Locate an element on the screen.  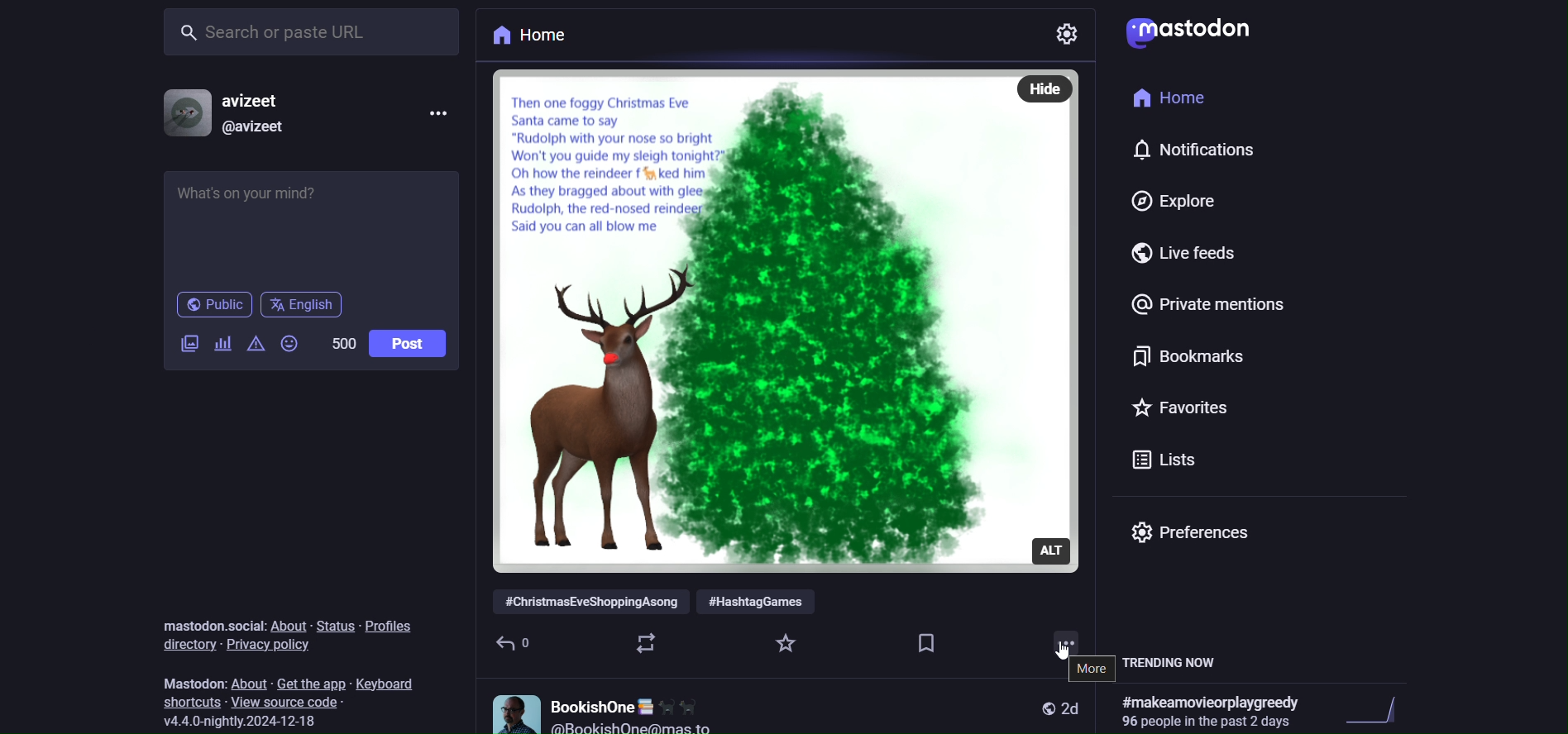
bookmark is located at coordinates (925, 644).